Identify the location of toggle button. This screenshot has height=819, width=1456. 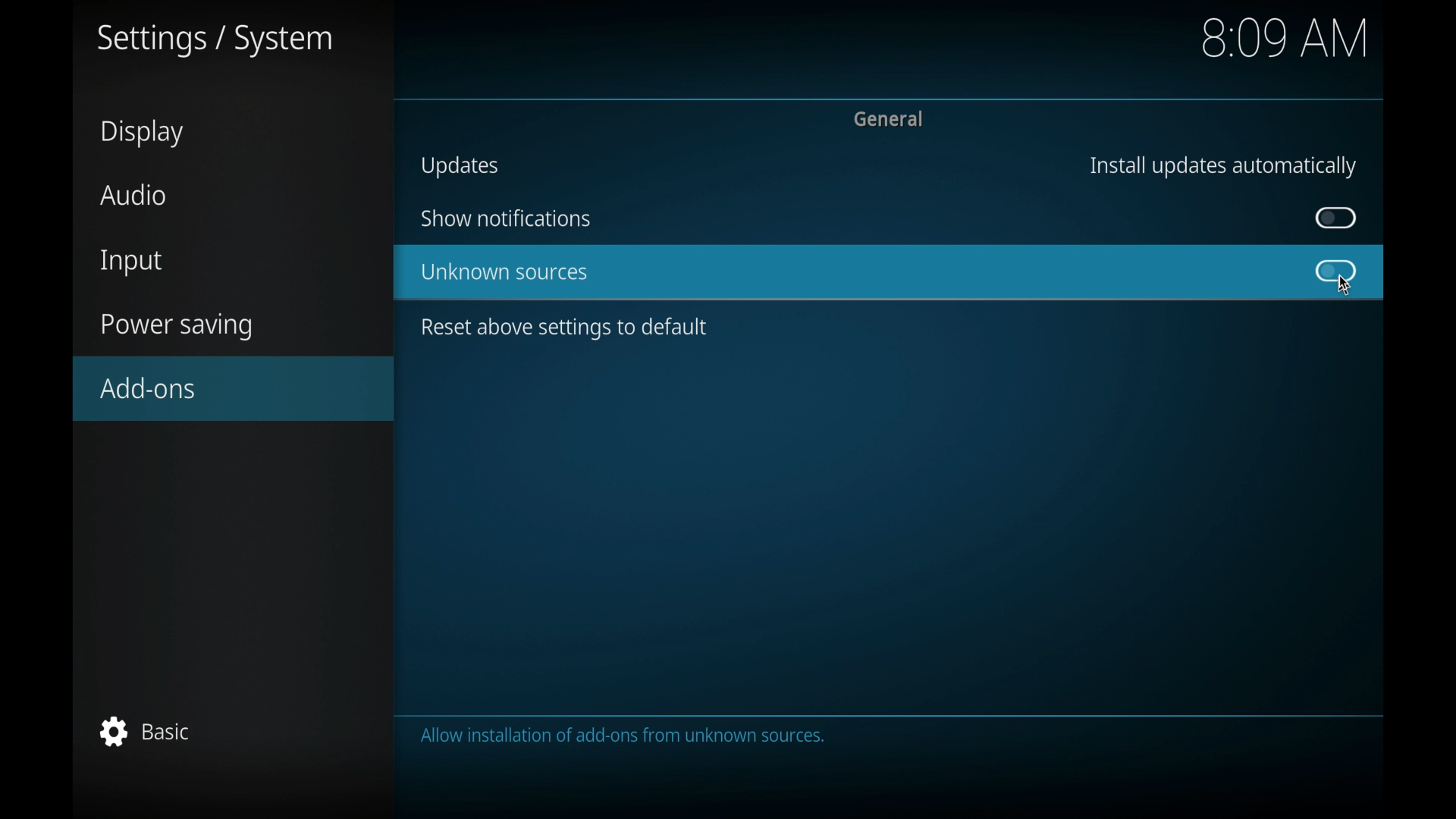
(1337, 271).